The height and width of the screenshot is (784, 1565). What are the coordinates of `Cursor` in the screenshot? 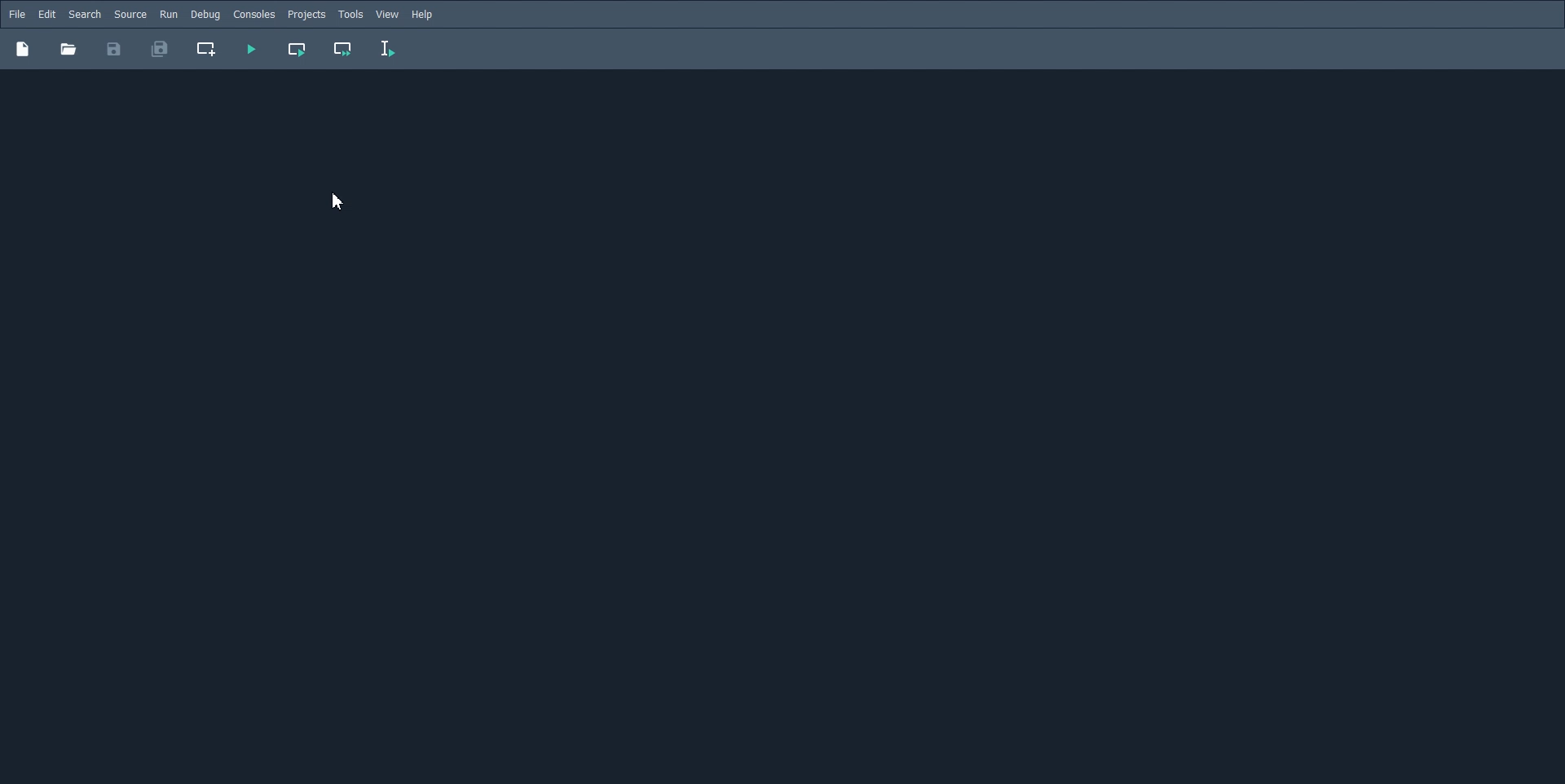 It's located at (338, 201).